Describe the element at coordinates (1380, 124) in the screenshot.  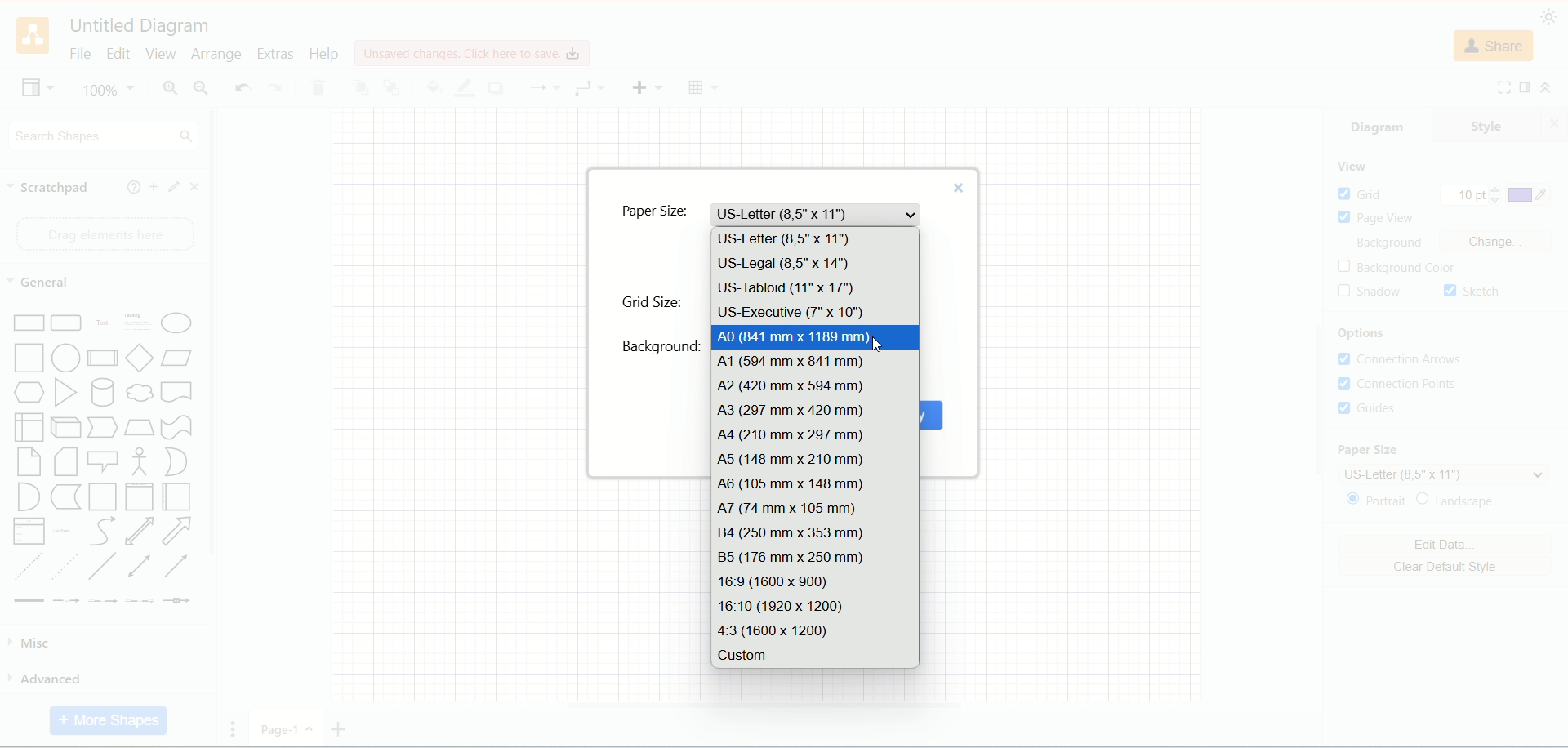
I see `diagram` at that location.